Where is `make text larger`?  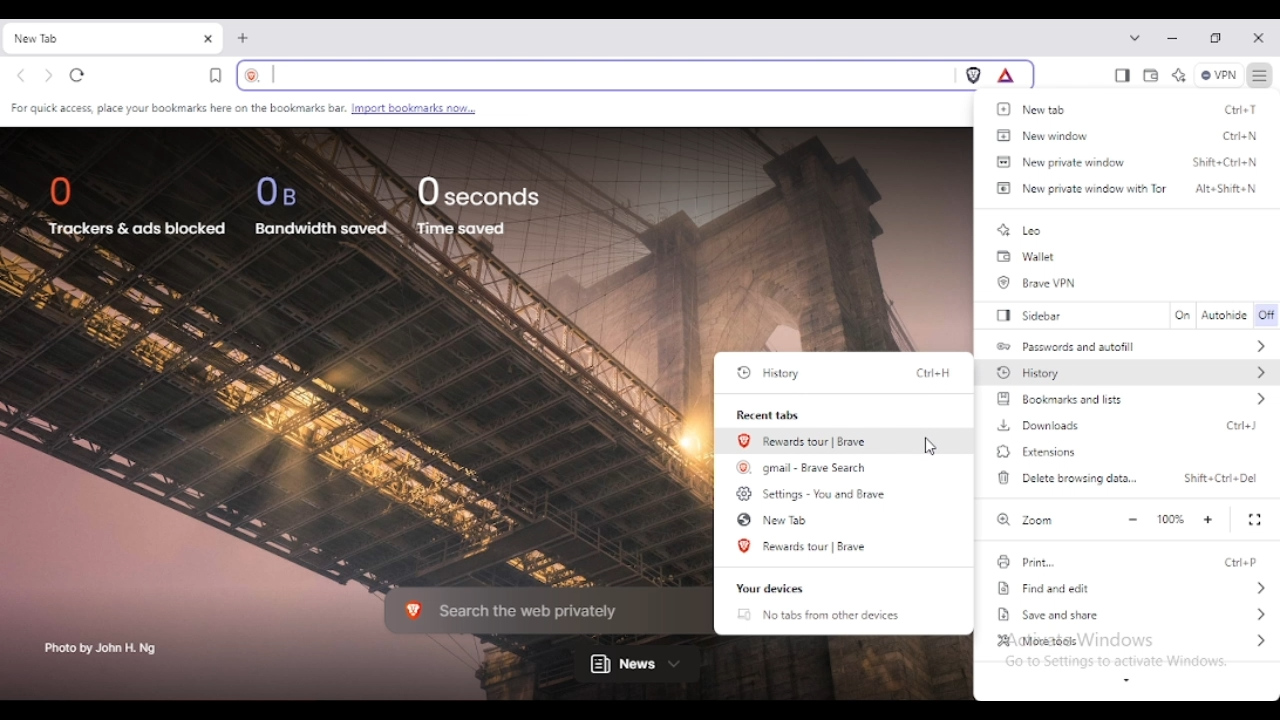
make text larger is located at coordinates (1209, 520).